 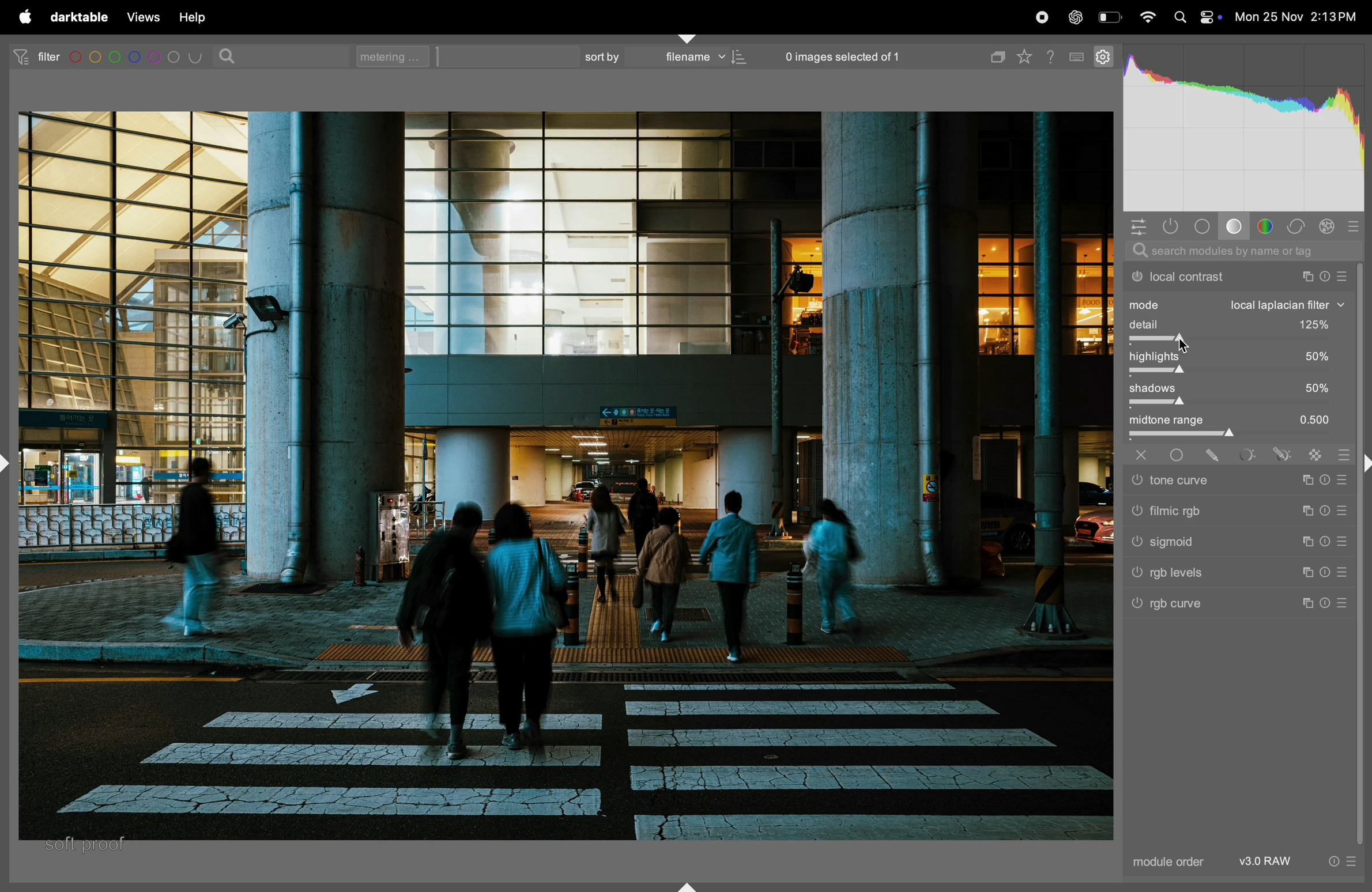 What do you see at coordinates (1102, 55) in the screenshot?
I see `settings` at bounding box center [1102, 55].